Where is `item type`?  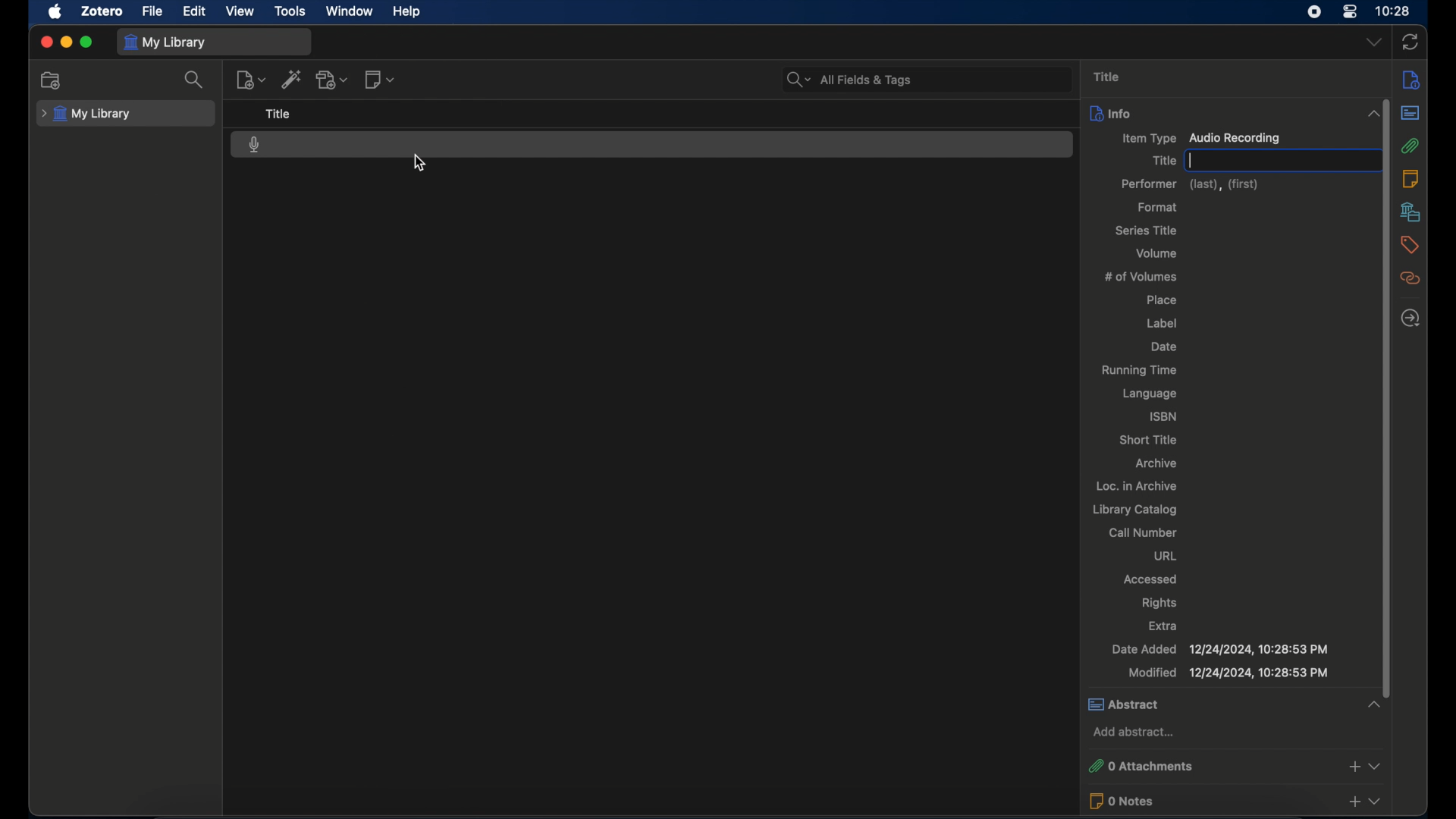 item type is located at coordinates (1203, 139).